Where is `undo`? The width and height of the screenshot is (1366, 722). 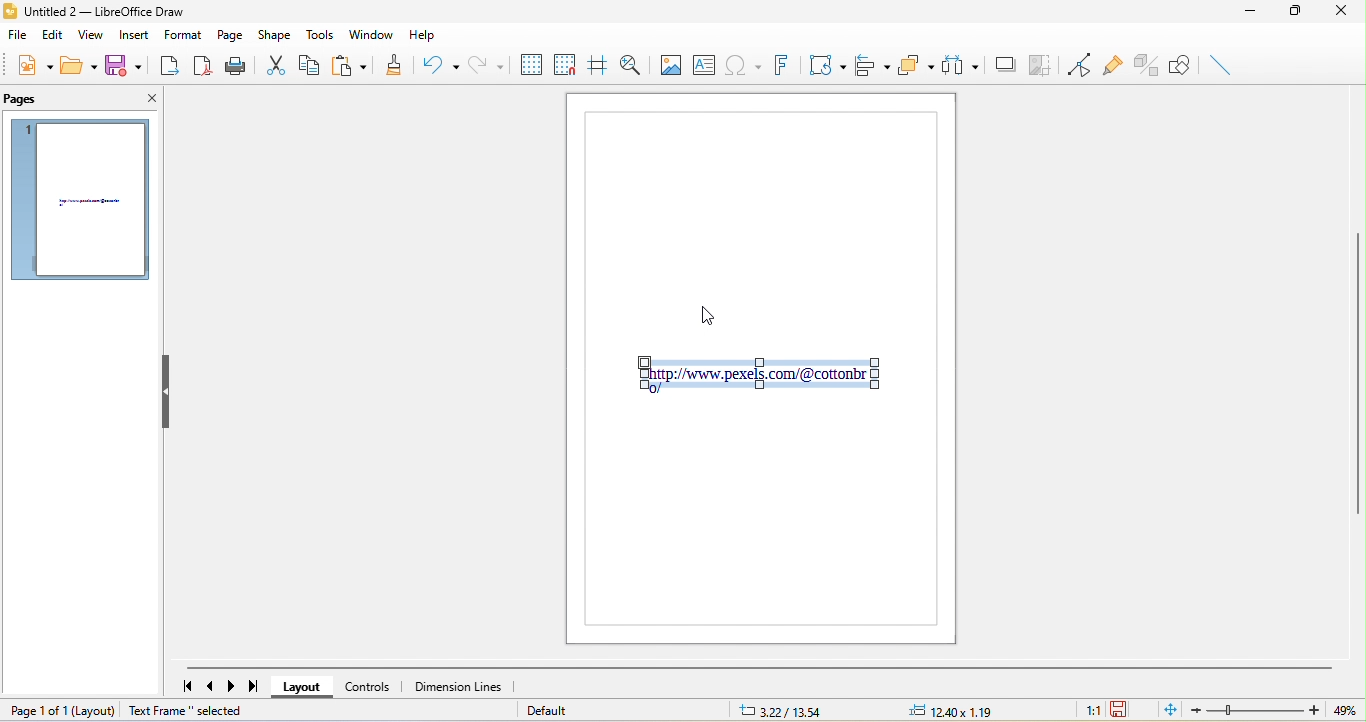 undo is located at coordinates (437, 63).